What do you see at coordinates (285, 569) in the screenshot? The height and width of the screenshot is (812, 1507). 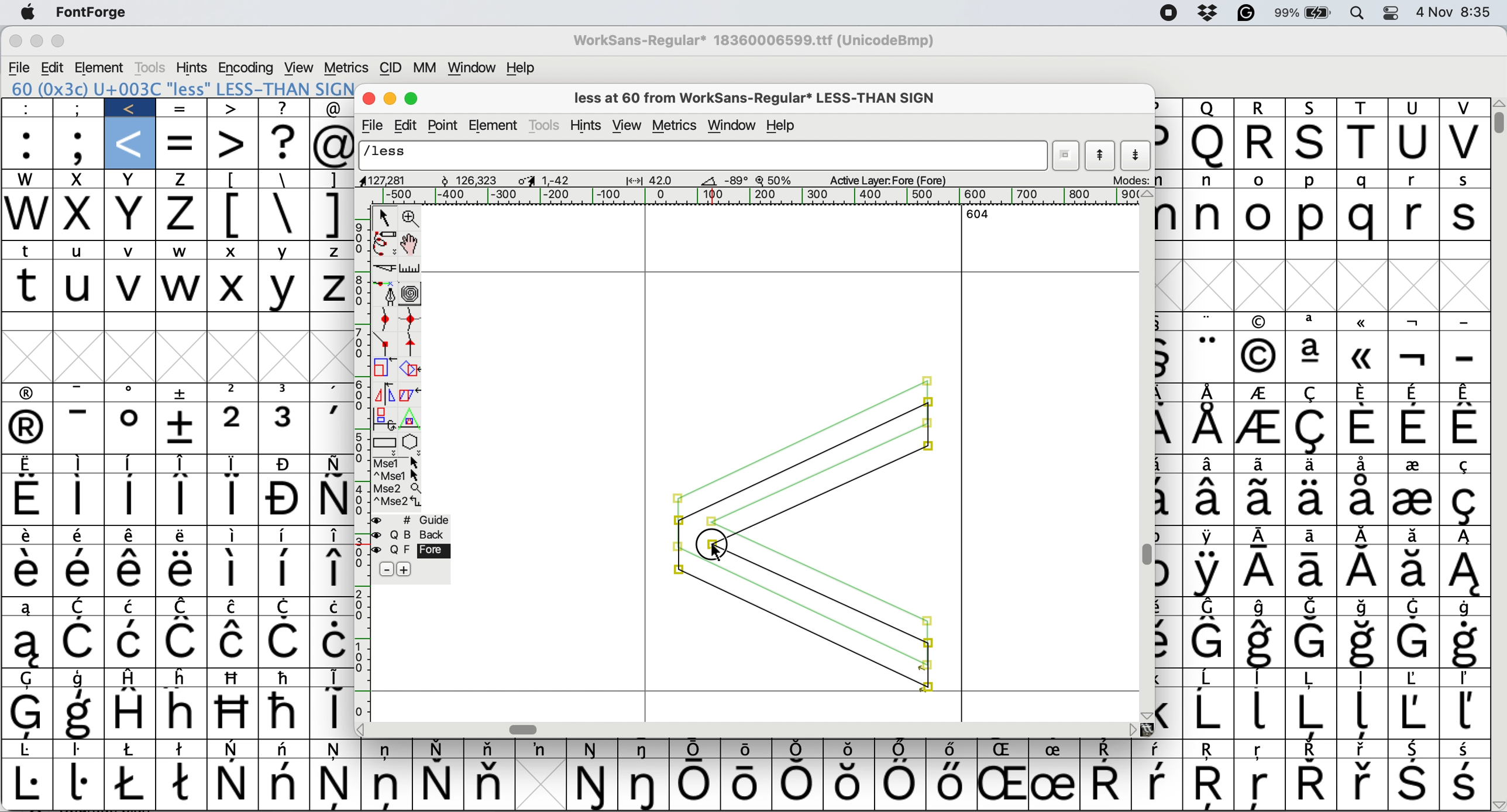 I see `Symbol` at bounding box center [285, 569].